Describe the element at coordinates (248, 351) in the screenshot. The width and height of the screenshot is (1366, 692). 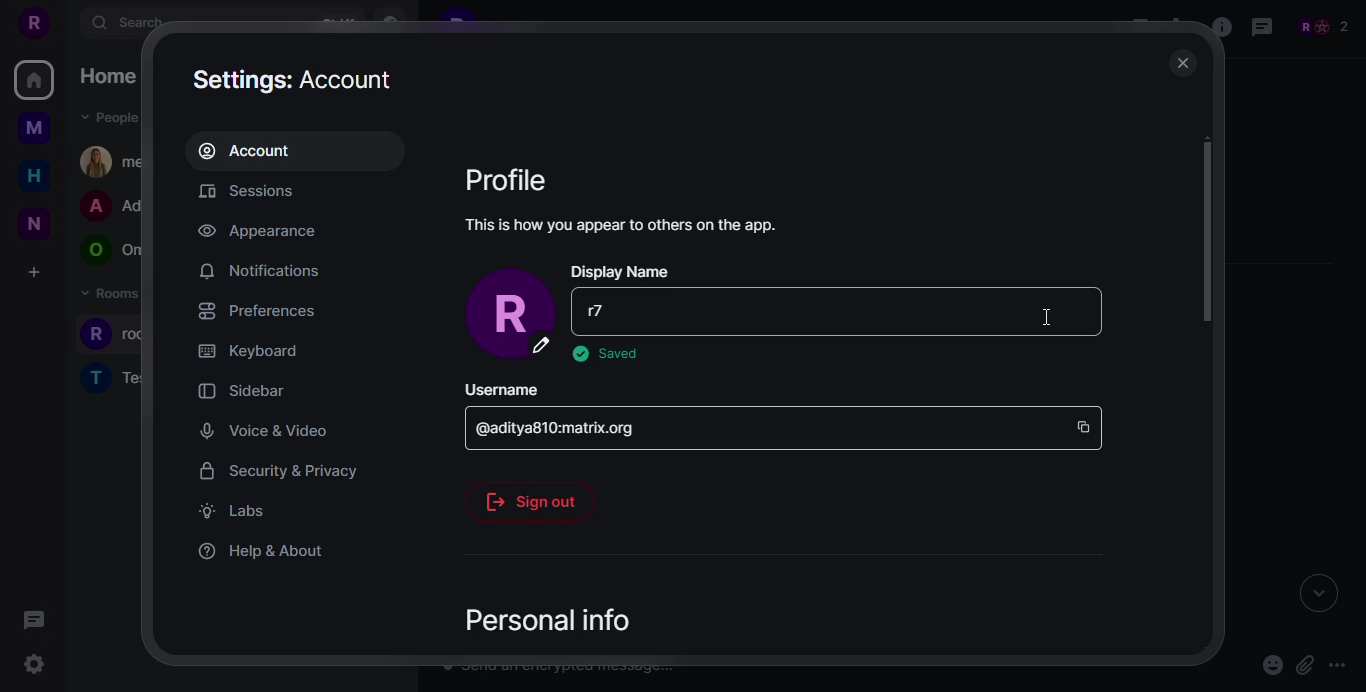
I see `keyboard` at that location.